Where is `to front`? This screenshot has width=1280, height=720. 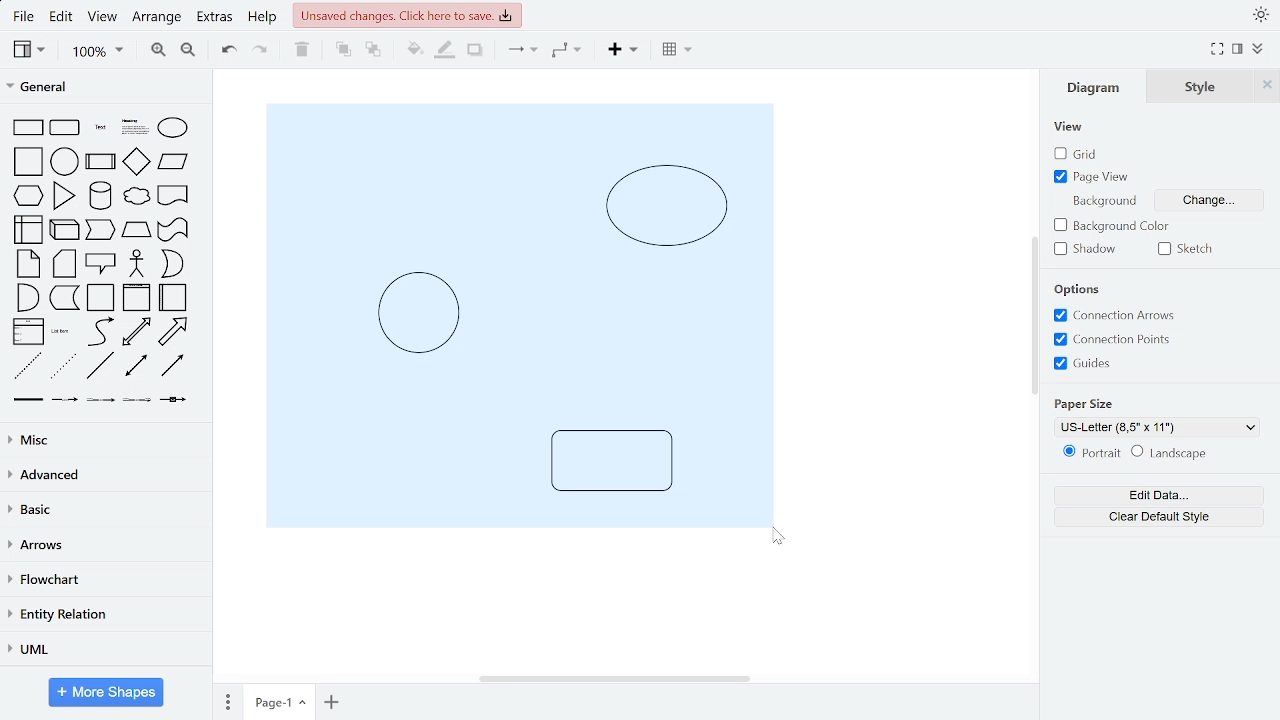
to front is located at coordinates (342, 50).